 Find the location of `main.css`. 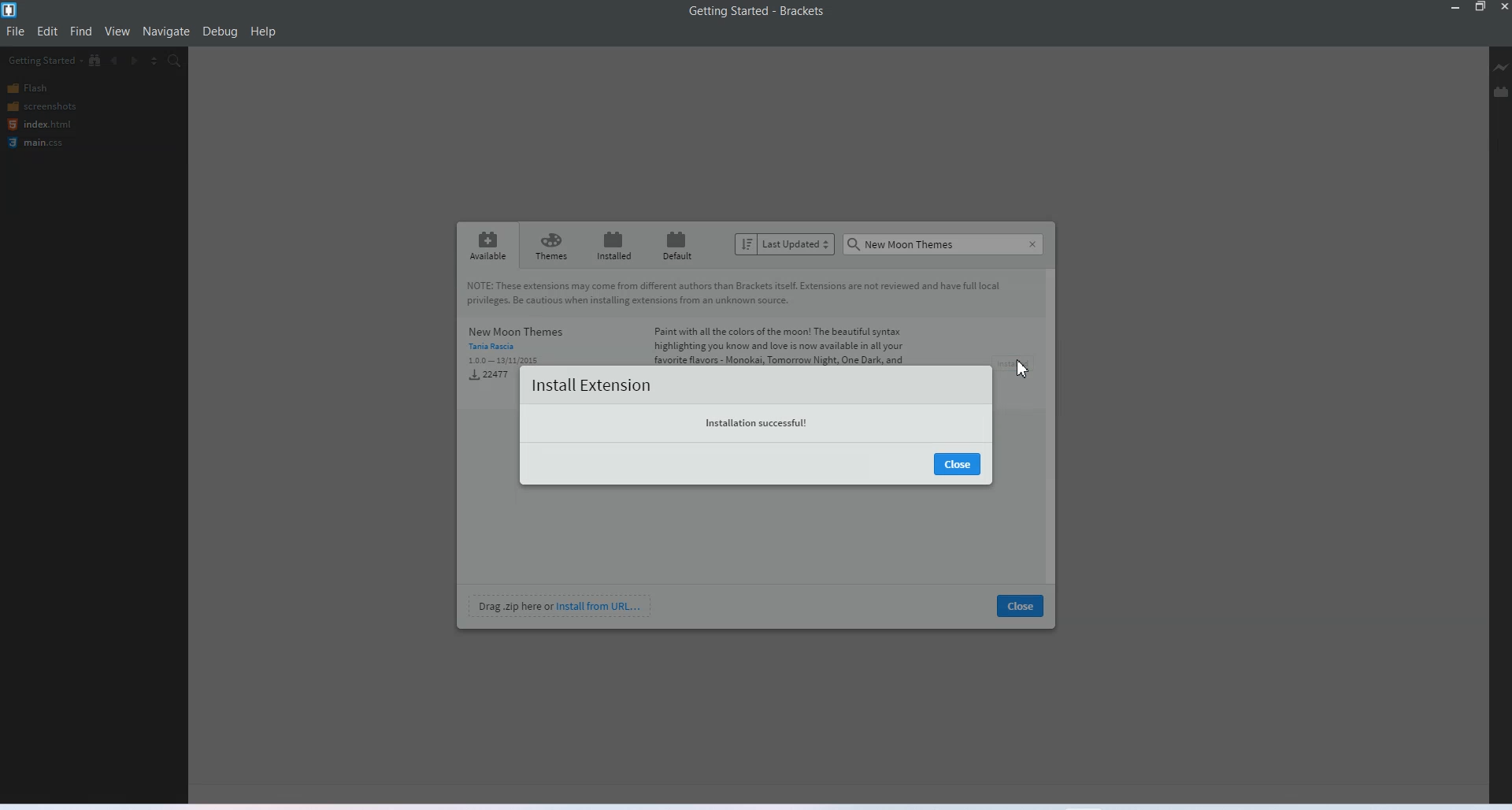

main.css is located at coordinates (38, 143).